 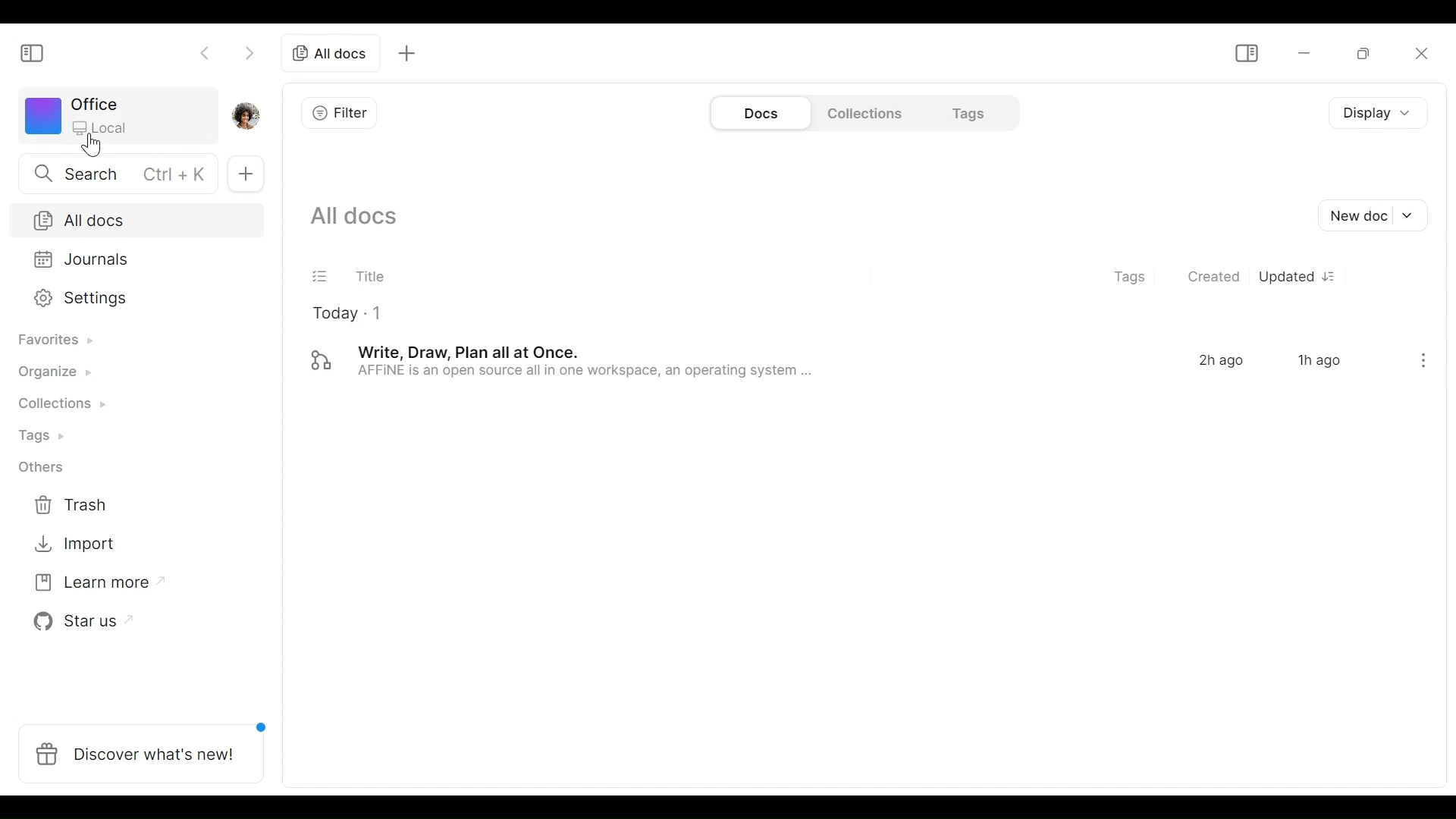 What do you see at coordinates (334, 52) in the screenshot?
I see `All documents` at bounding box center [334, 52].